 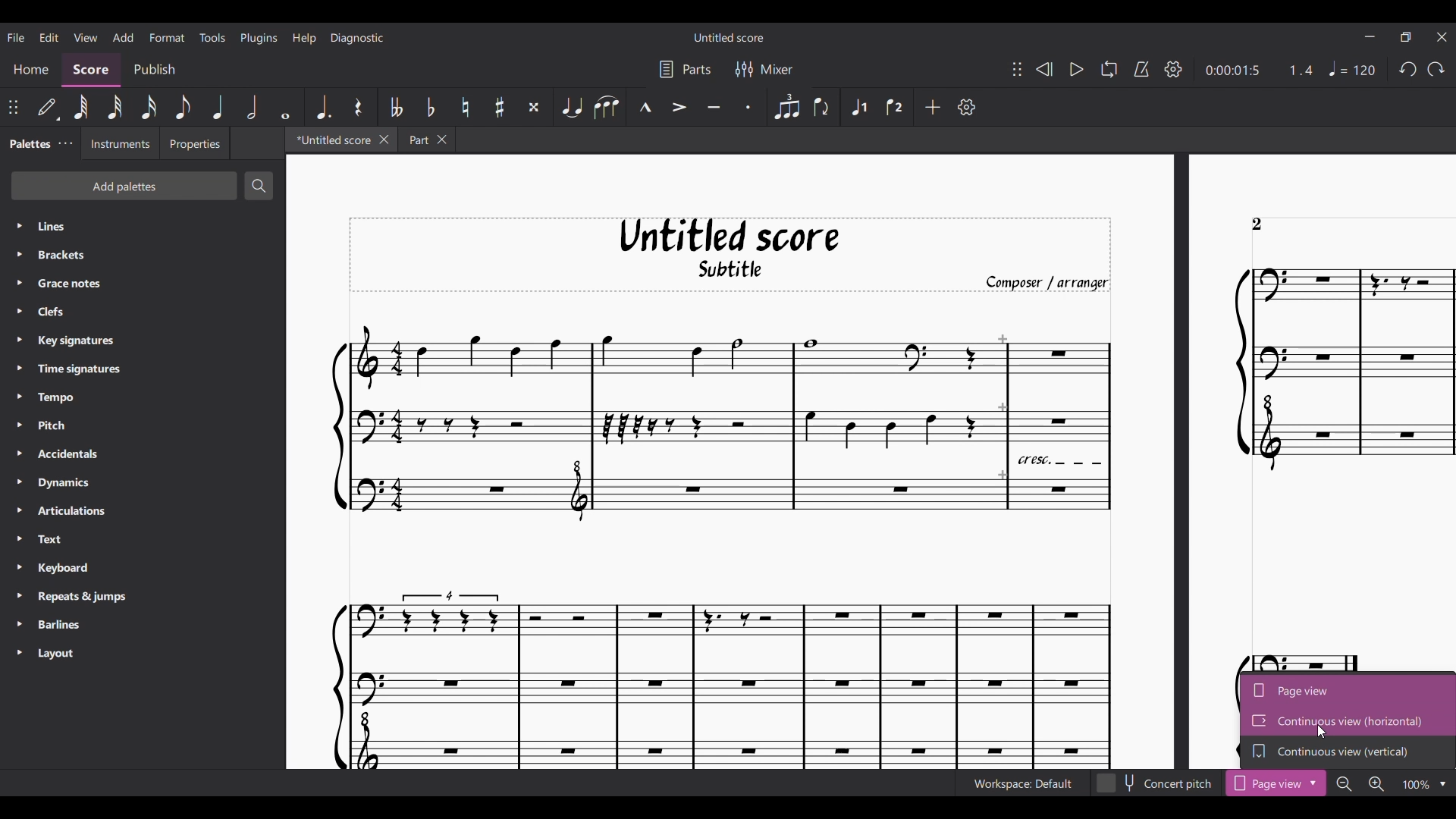 What do you see at coordinates (1044, 70) in the screenshot?
I see `Rewind` at bounding box center [1044, 70].